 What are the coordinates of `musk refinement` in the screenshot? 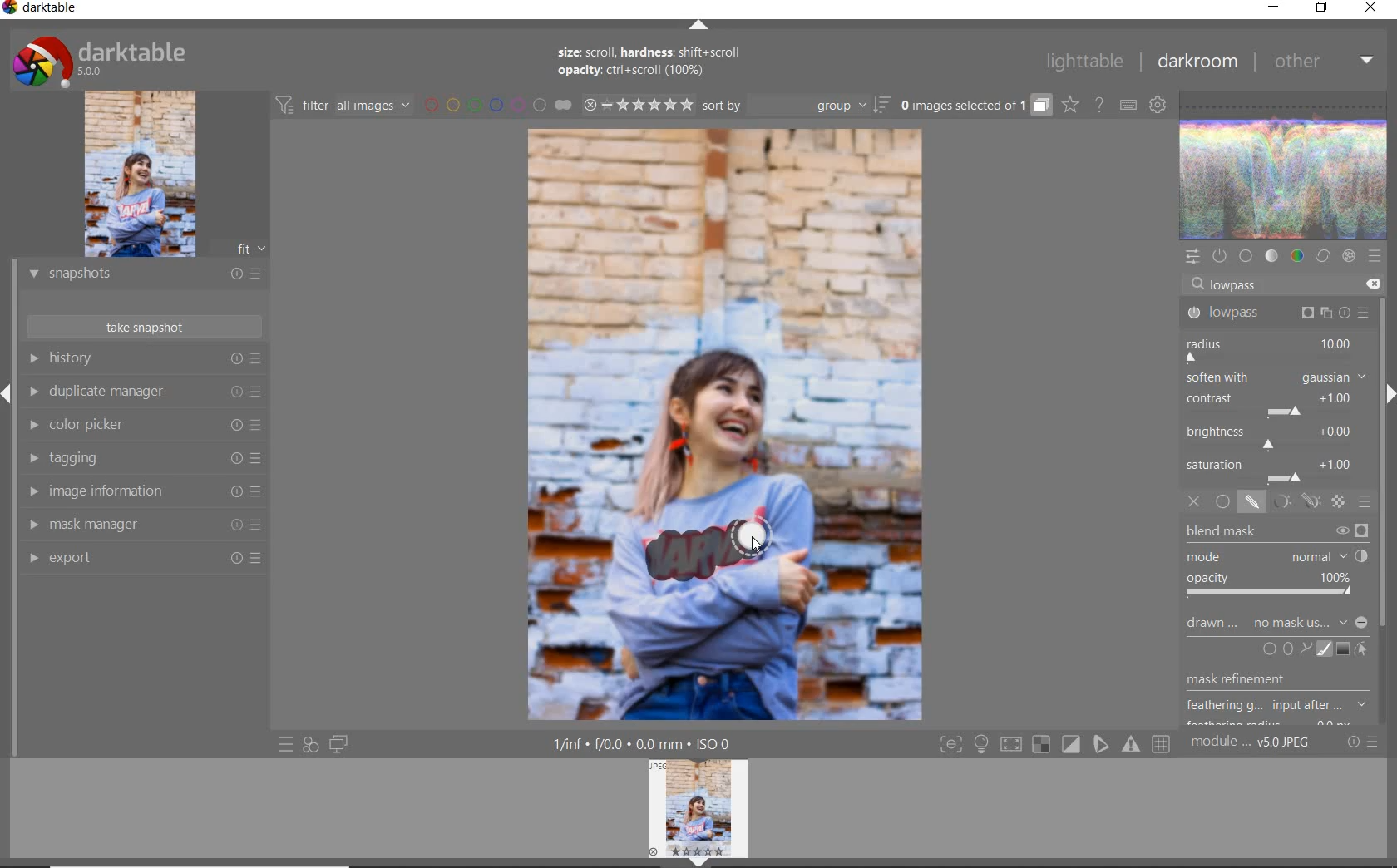 It's located at (1266, 682).